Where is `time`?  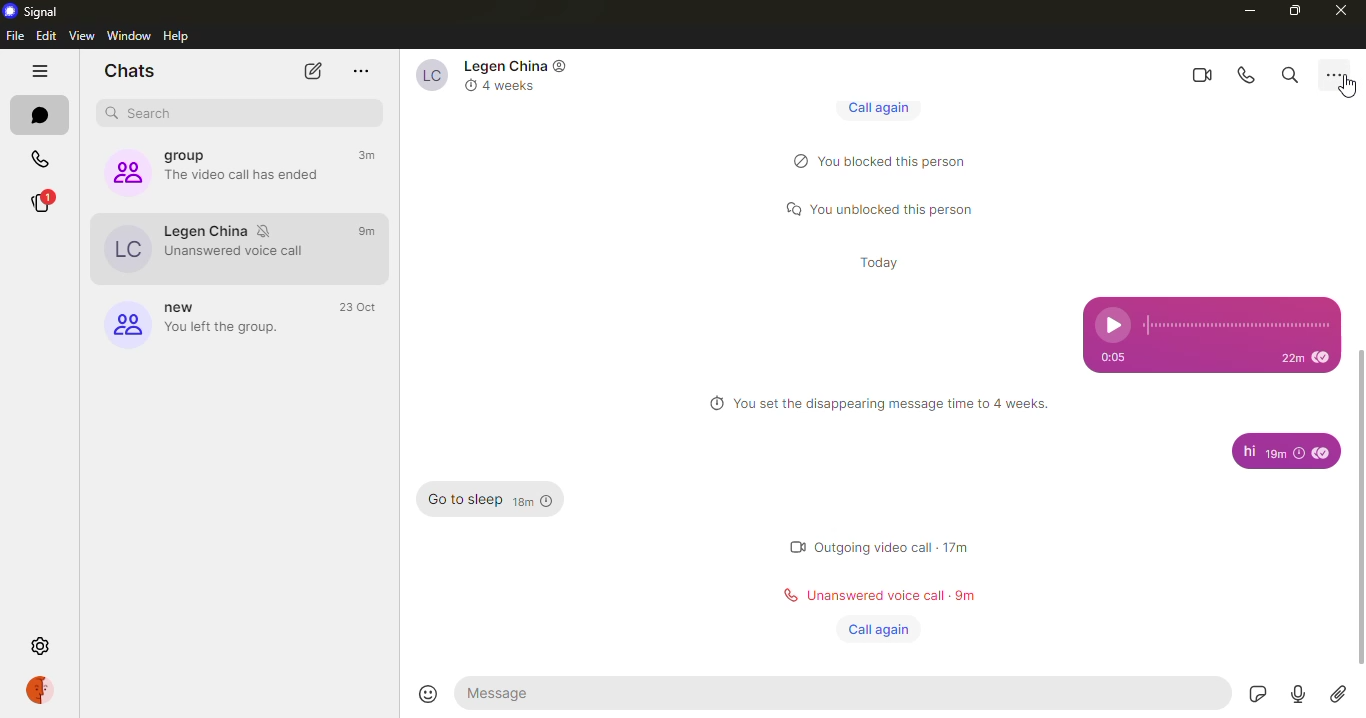
time is located at coordinates (367, 153).